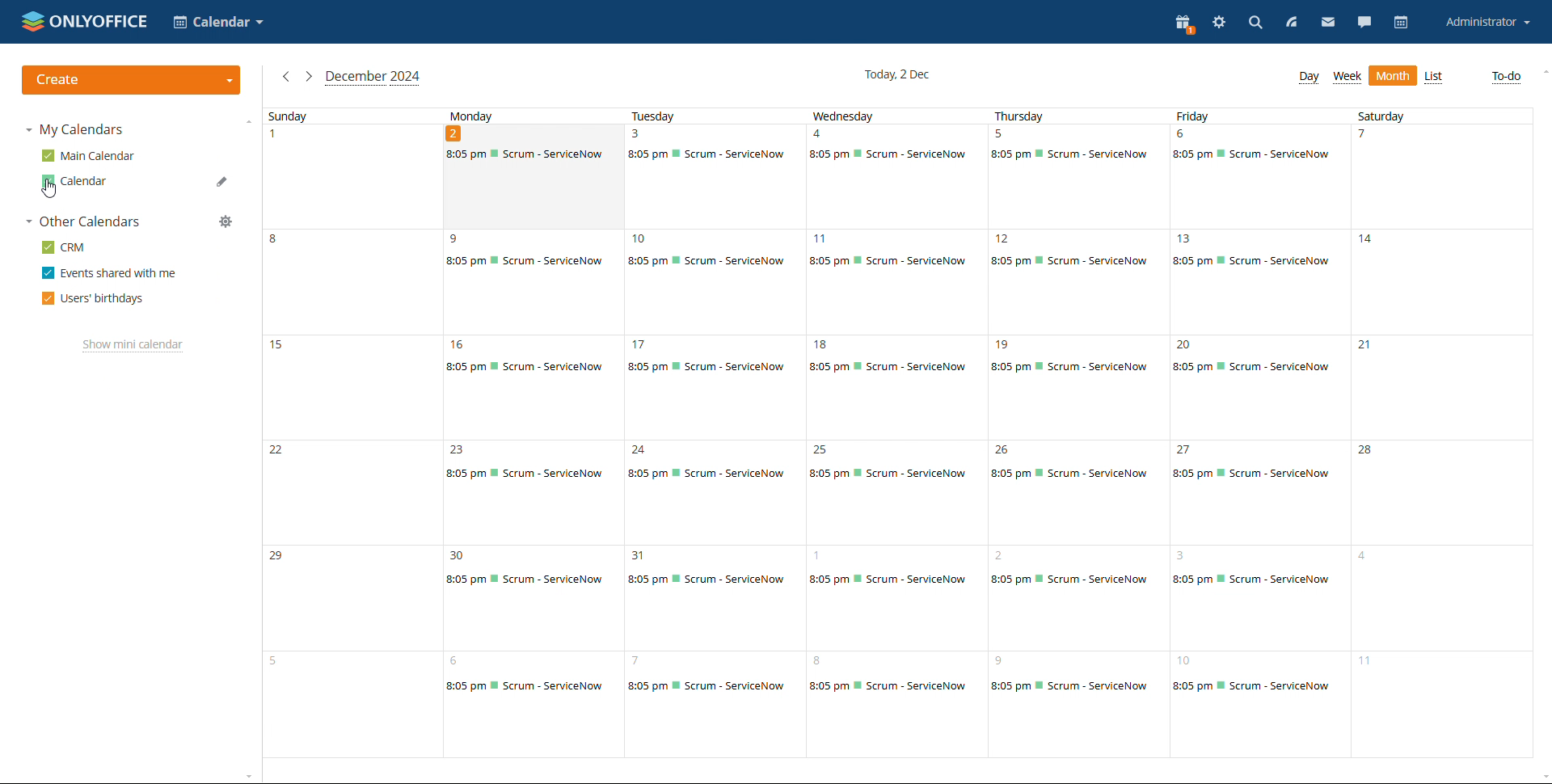 This screenshot has height=784, width=1552. What do you see at coordinates (226, 221) in the screenshot?
I see `manage` at bounding box center [226, 221].